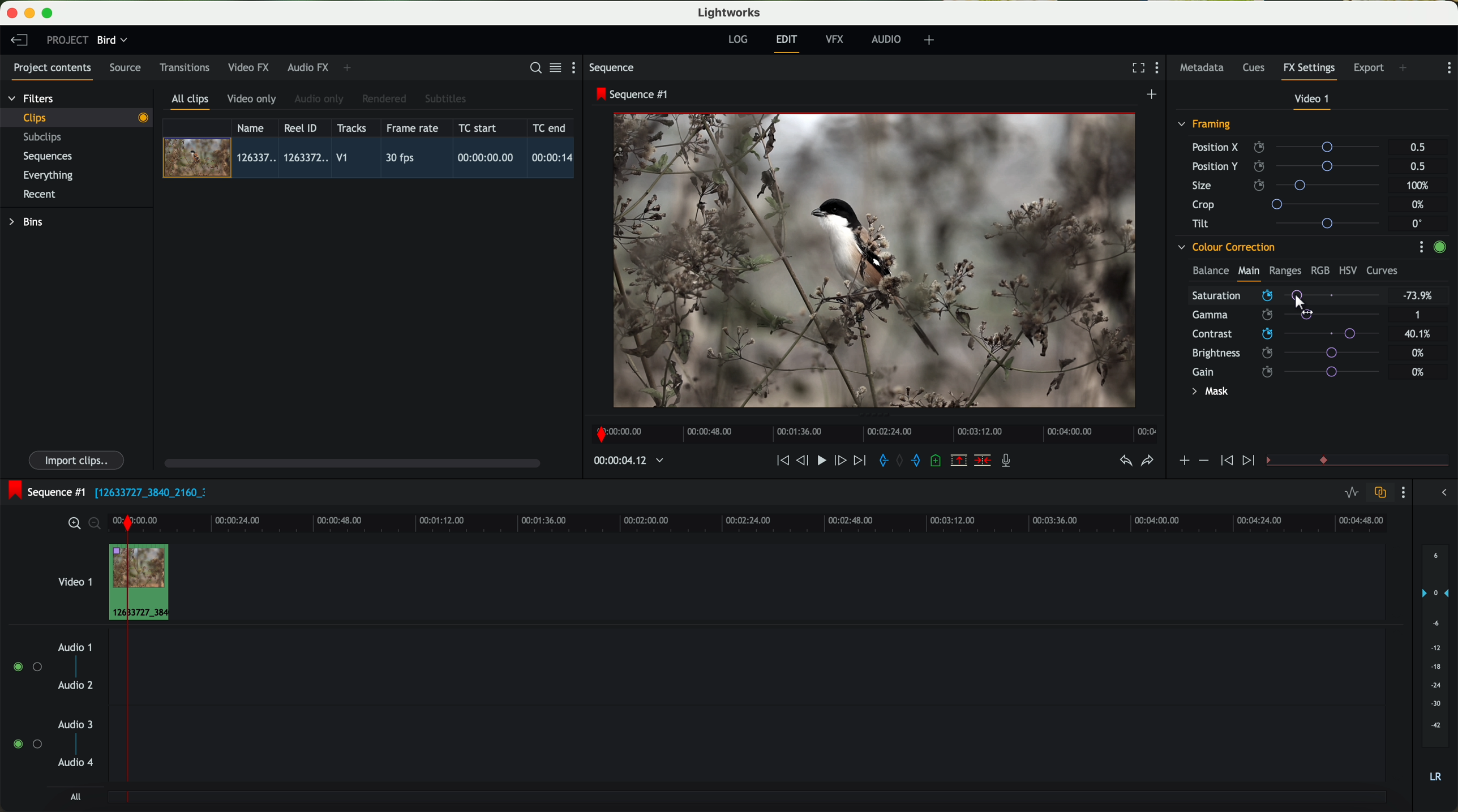  Describe the element at coordinates (385, 100) in the screenshot. I see `rendered` at that location.